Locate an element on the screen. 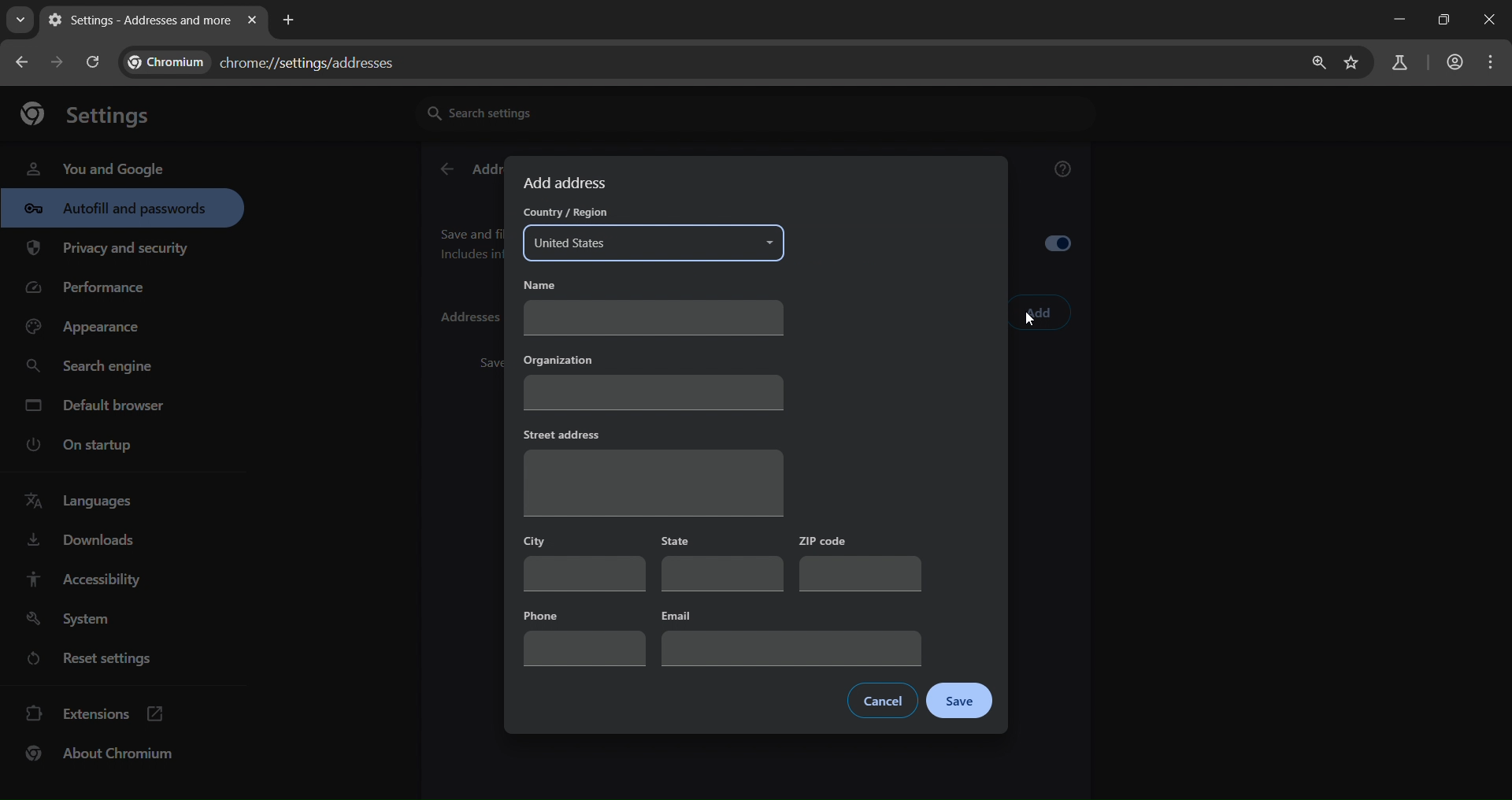 The height and width of the screenshot is (800, 1512). organization is located at coordinates (653, 380).